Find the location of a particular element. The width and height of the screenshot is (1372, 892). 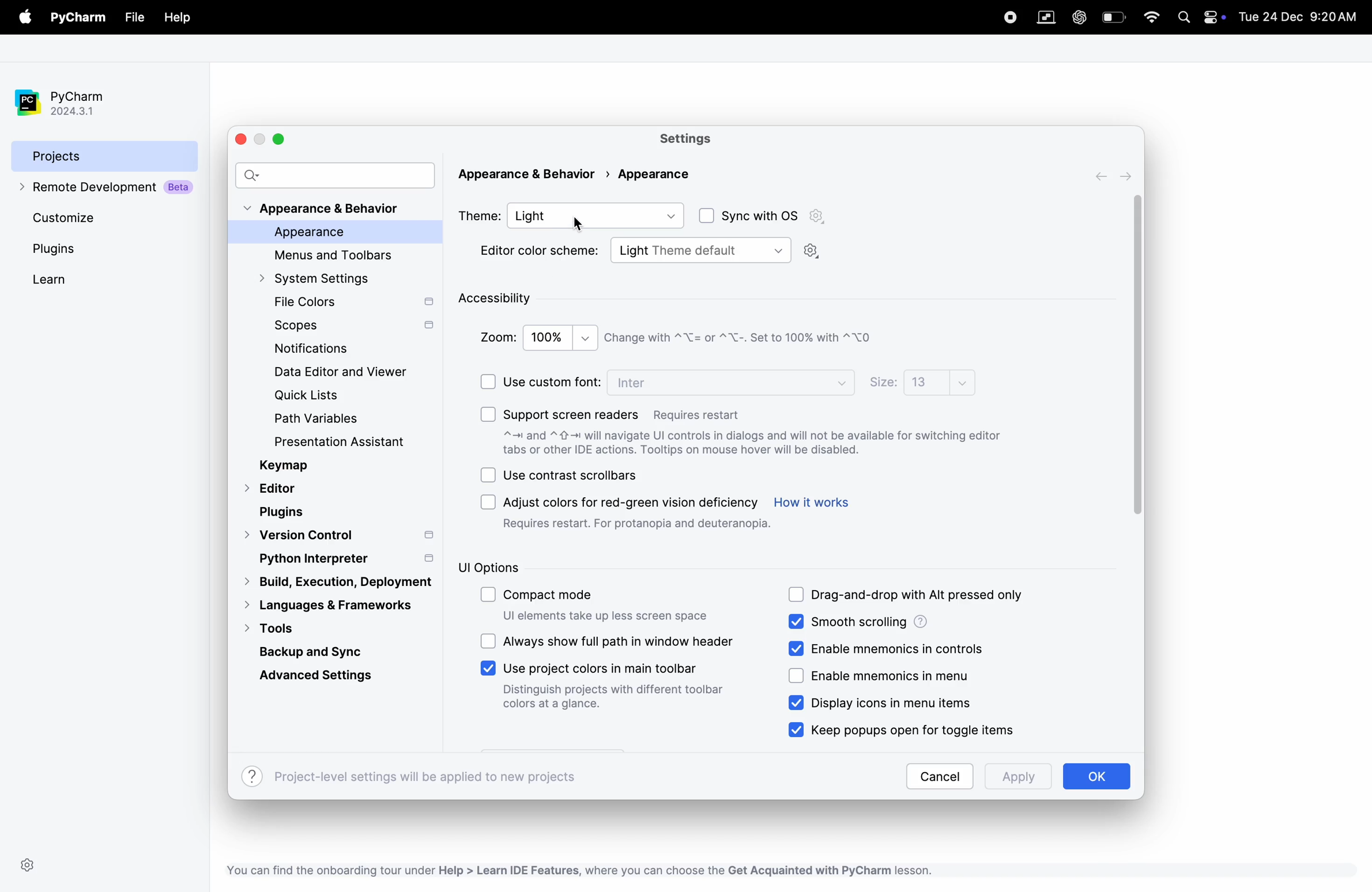

menus and toolbar is located at coordinates (340, 255).